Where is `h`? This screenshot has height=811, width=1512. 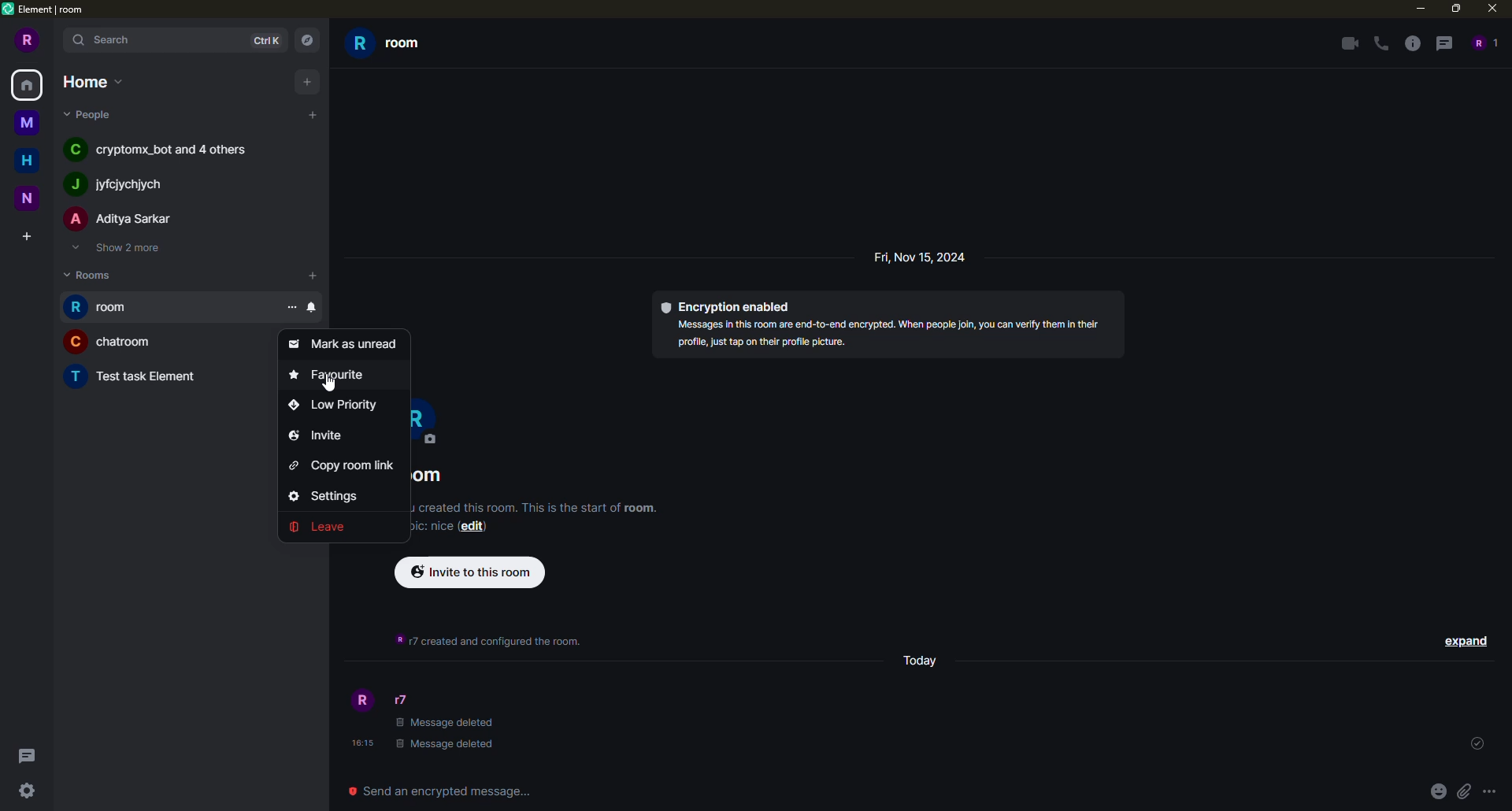
h is located at coordinates (25, 161).